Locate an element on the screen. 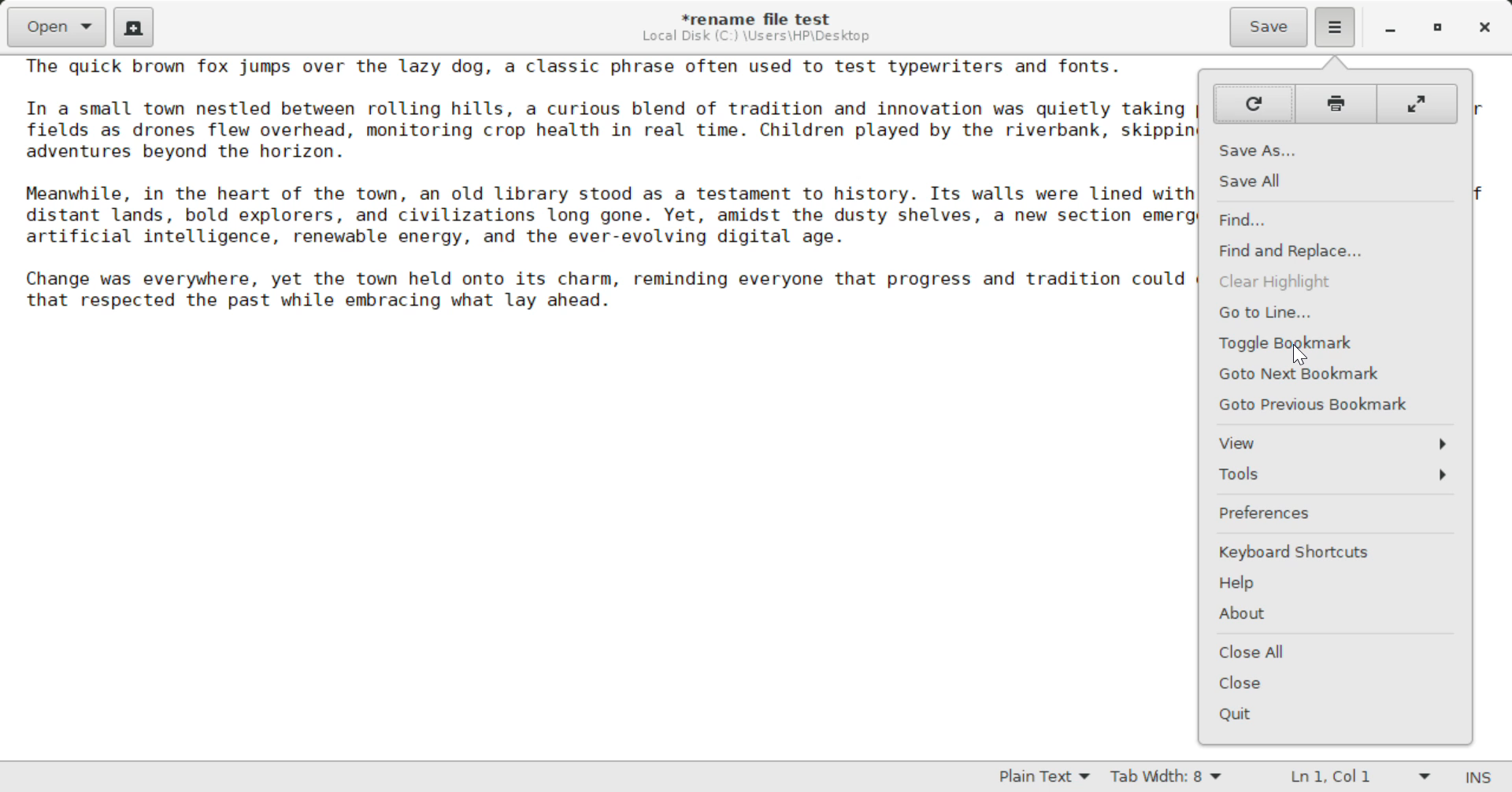  Find is located at coordinates (1336, 220).